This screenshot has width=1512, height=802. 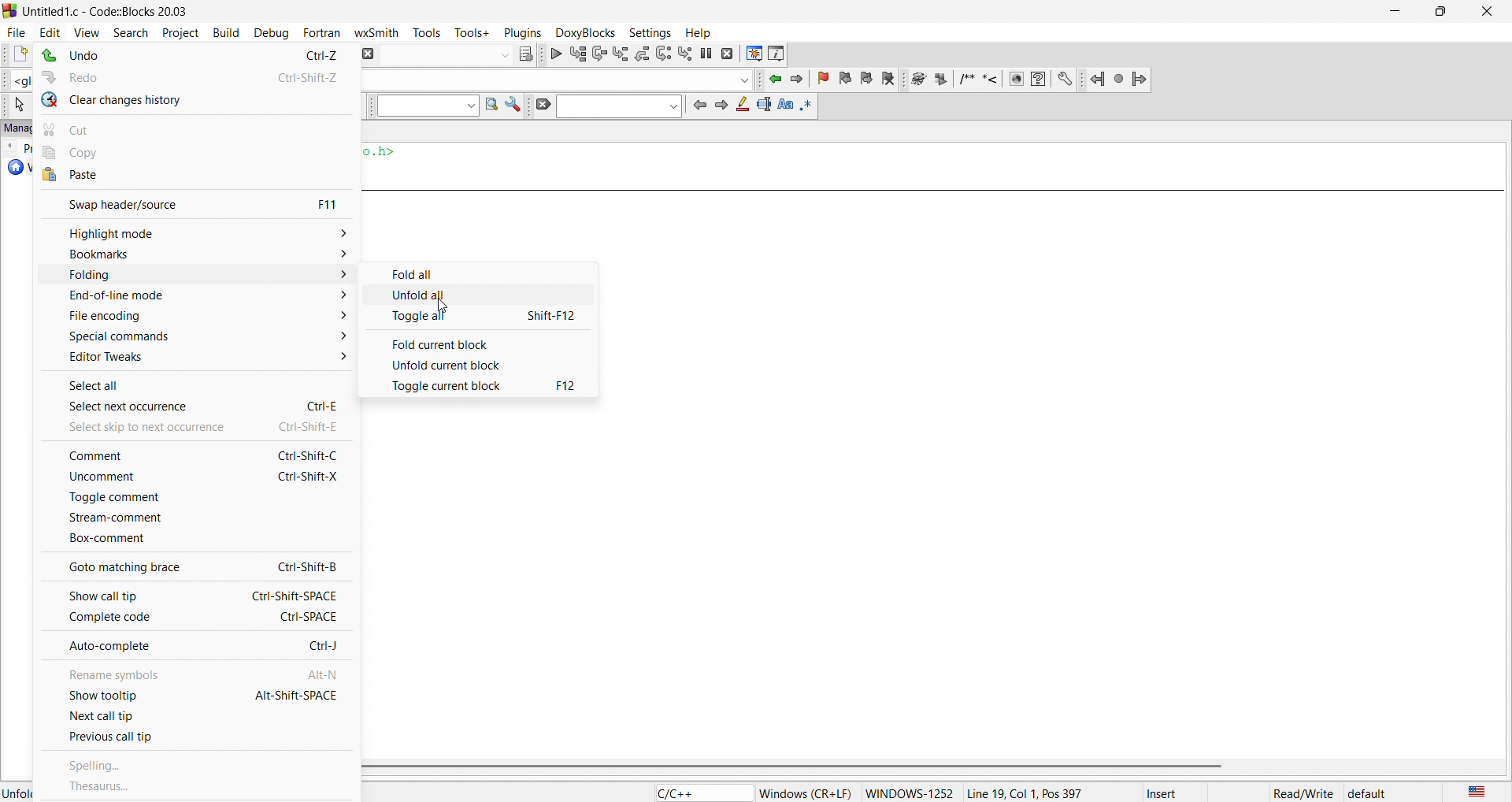 I want to click on previous call tip, so click(x=193, y=740).